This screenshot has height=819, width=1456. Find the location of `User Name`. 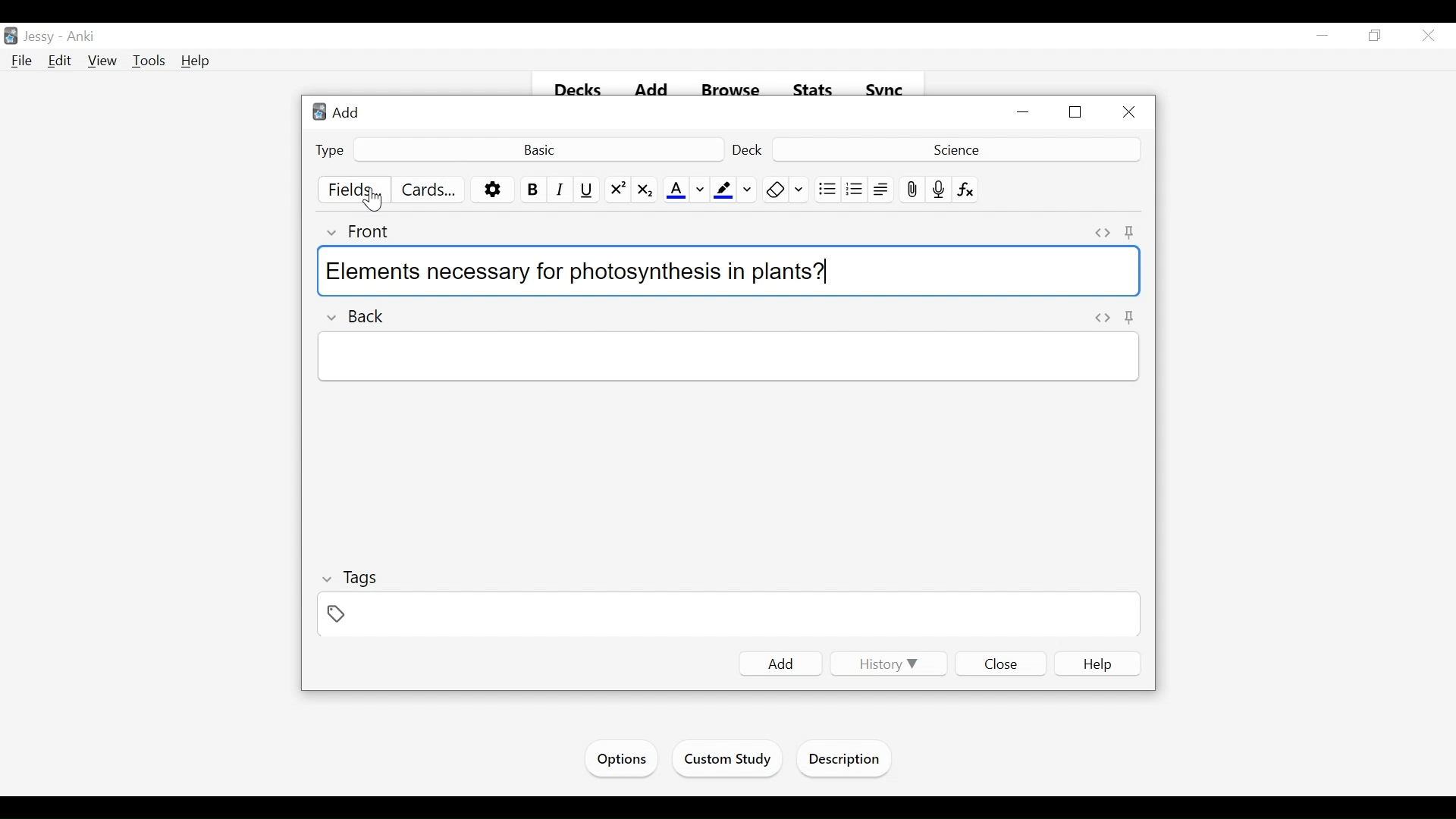

User Name is located at coordinates (42, 37).